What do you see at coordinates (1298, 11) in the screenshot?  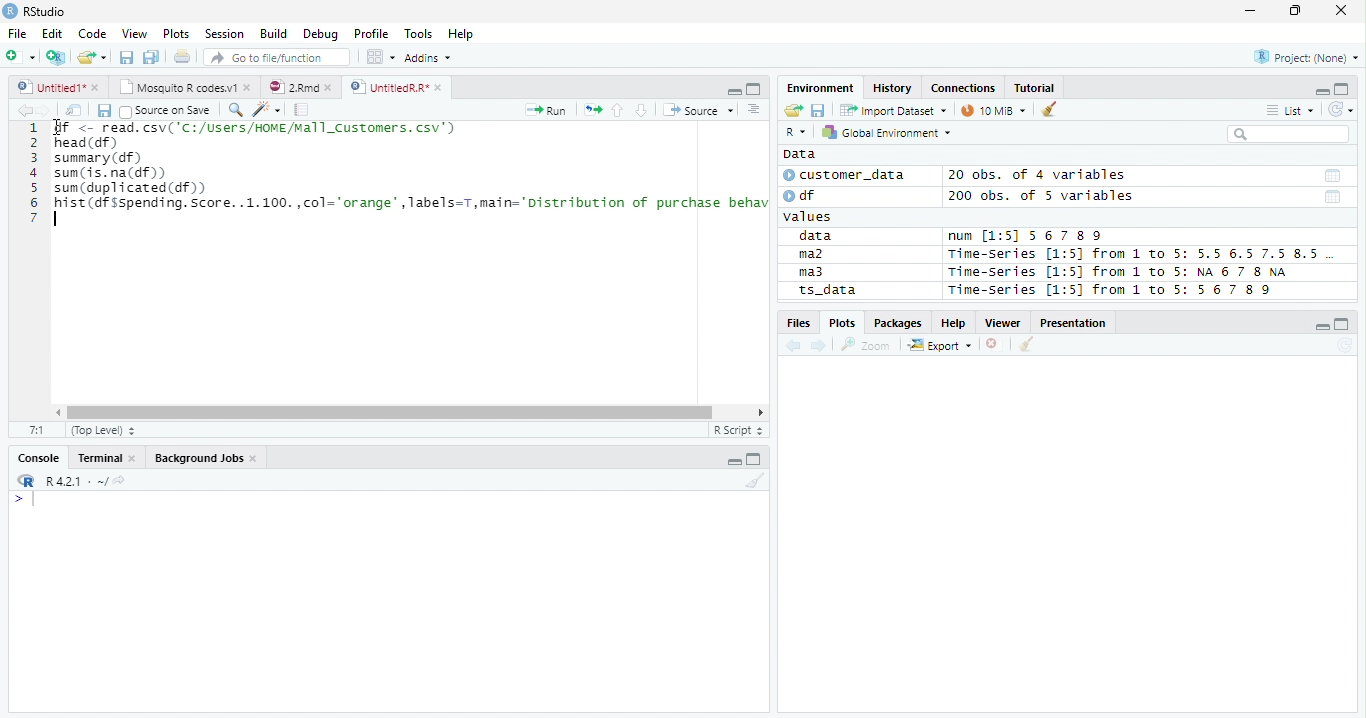 I see `Restore Down` at bounding box center [1298, 11].